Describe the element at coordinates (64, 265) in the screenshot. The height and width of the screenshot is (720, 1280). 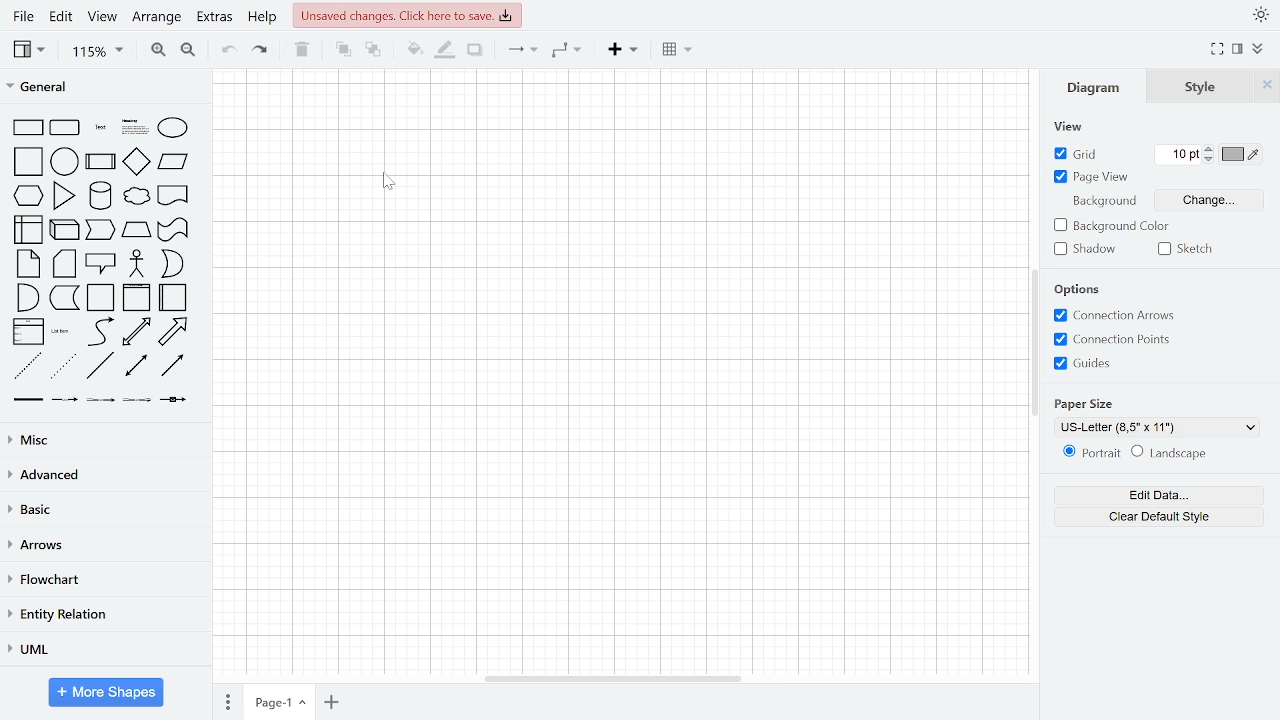
I see `card` at that location.